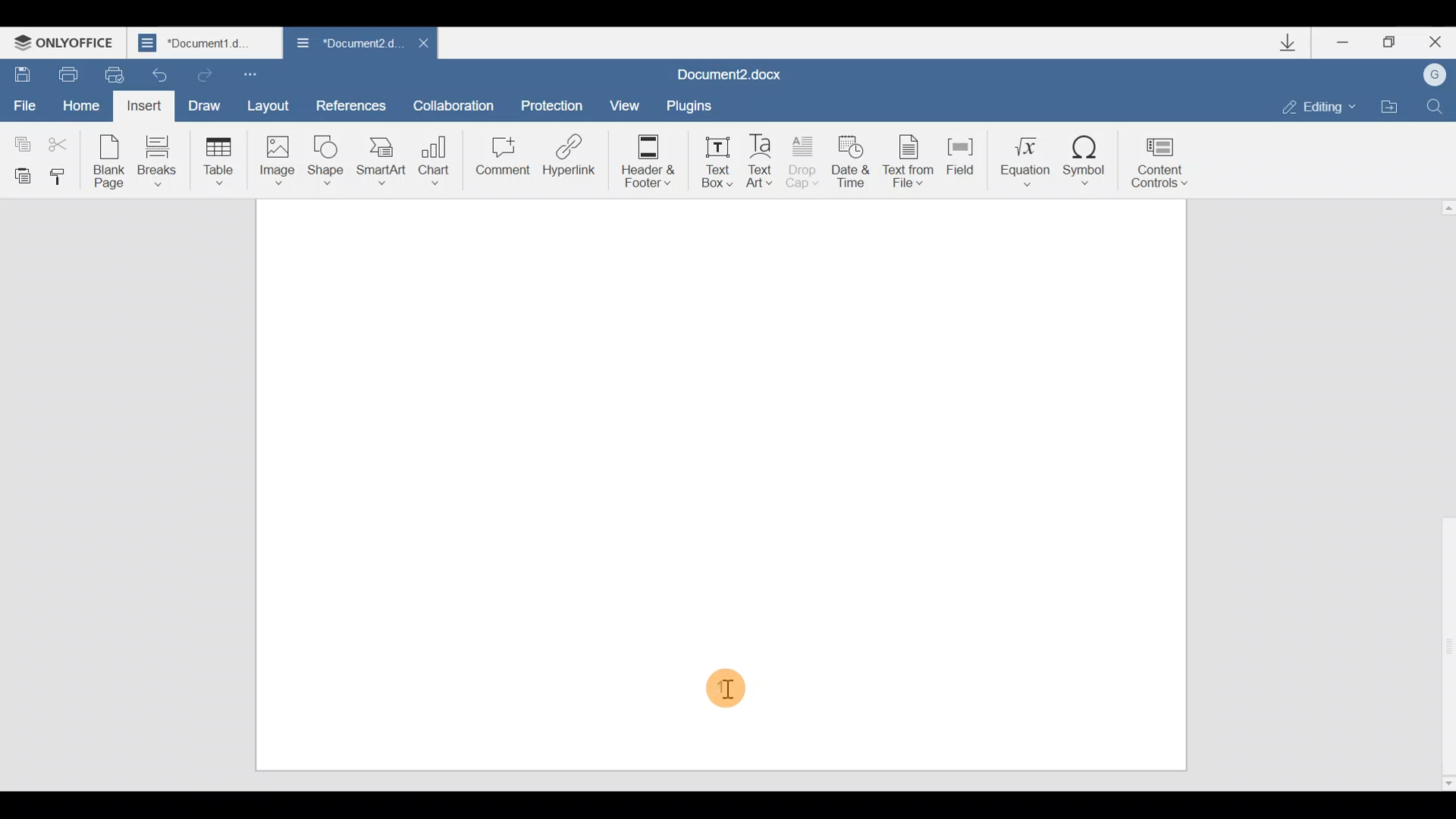 The width and height of the screenshot is (1456, 819). What do you see at coordinates (570, 160) in the screenshot?
I see `Hyperlink` at bounding box center [570, 160].